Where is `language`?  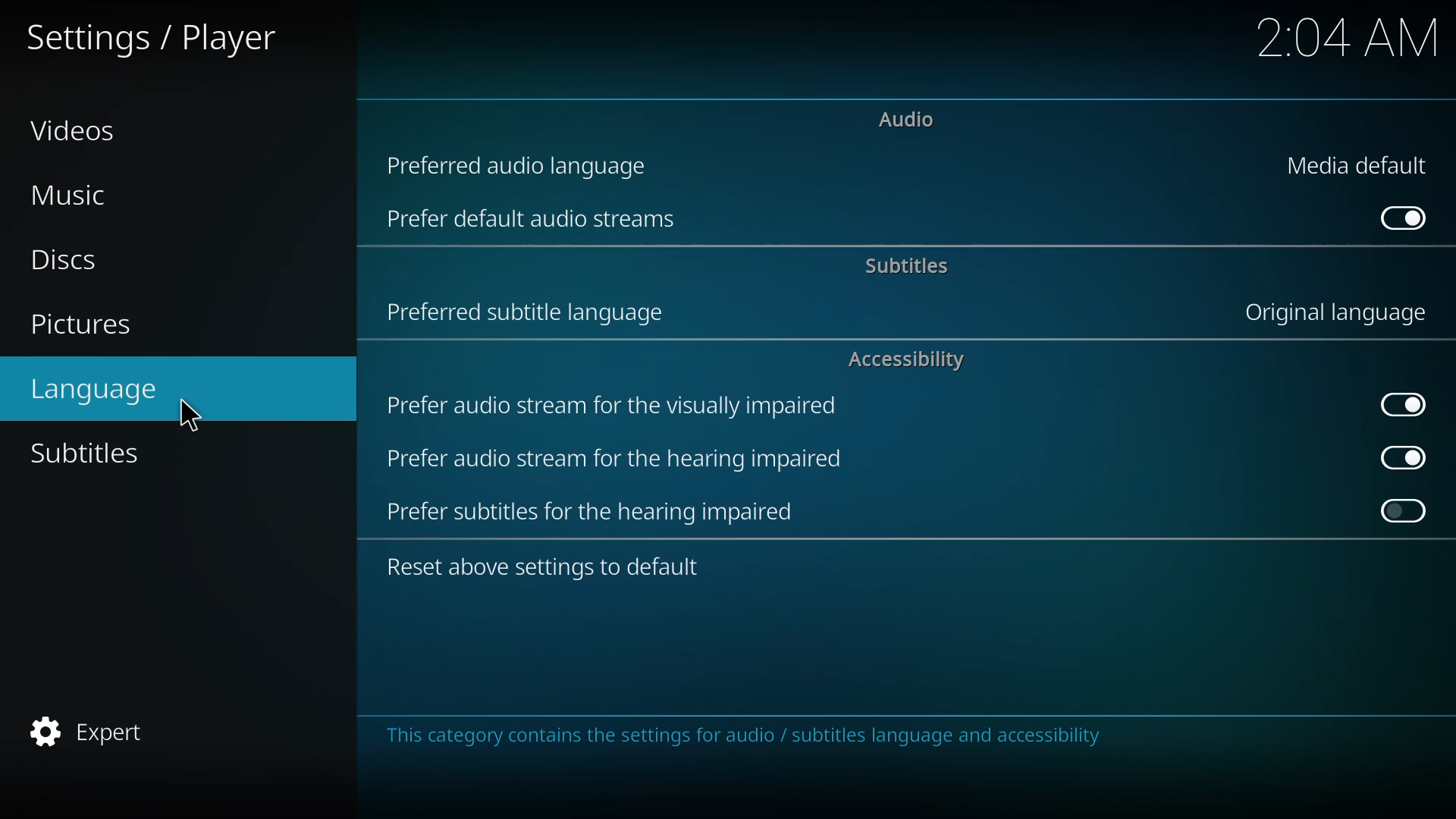
language is located at coordinates (96, 389).